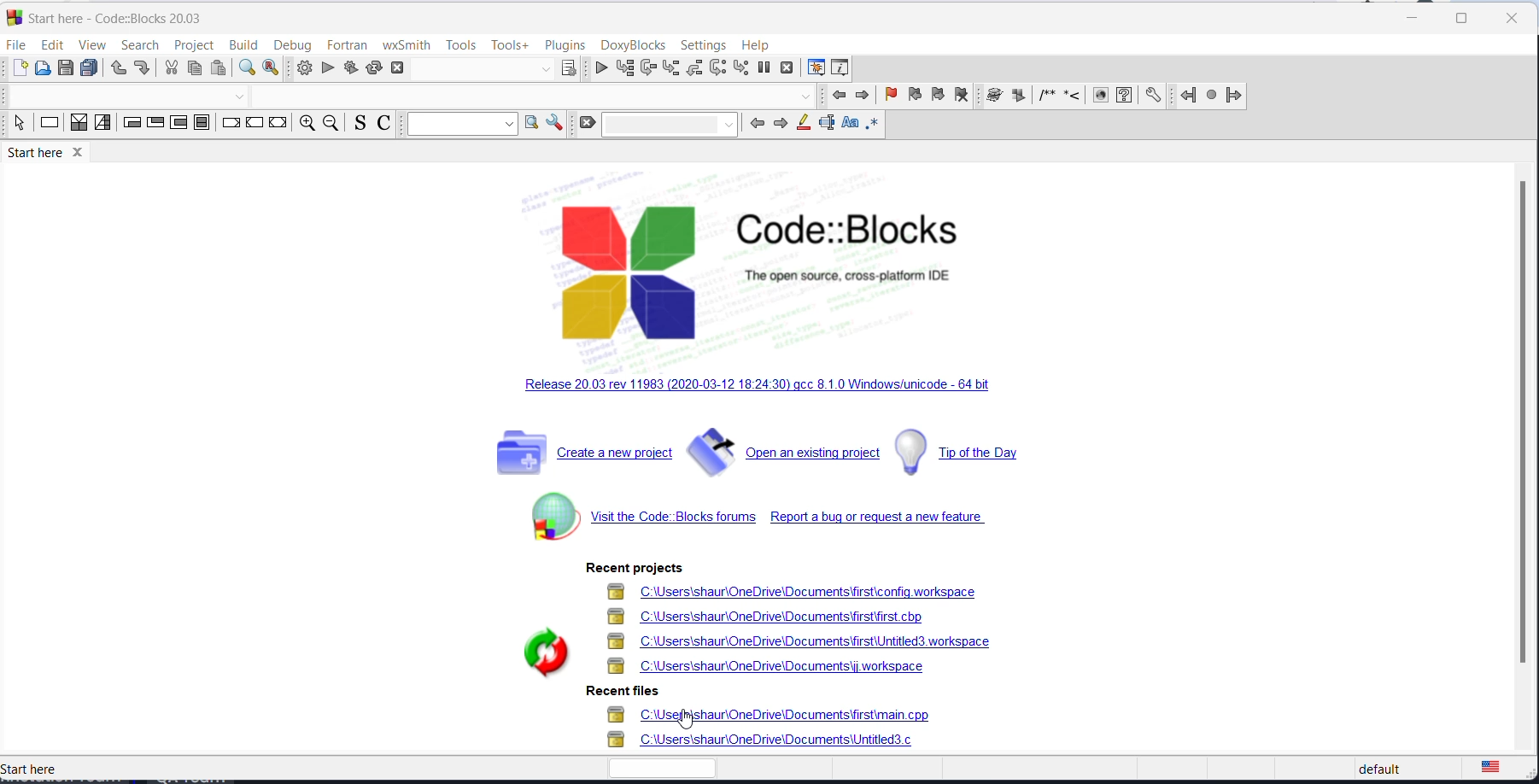 The width and height of the screenshot is (1539, 784). I want to click on exit condition loop, so click(154, 125).